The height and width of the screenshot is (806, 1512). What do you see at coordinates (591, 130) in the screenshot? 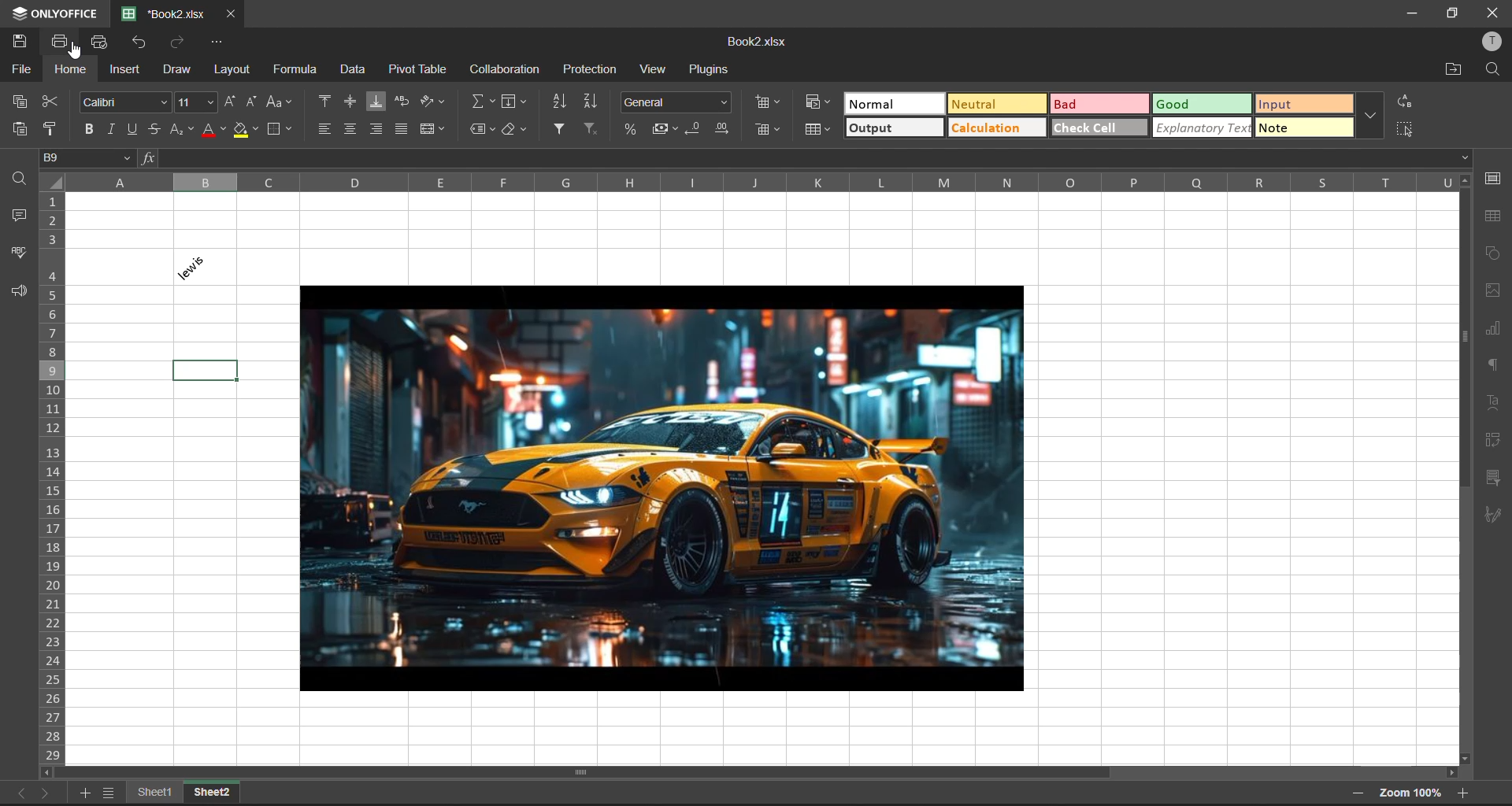
I see `clear filter` at bounding box center [591, 130].